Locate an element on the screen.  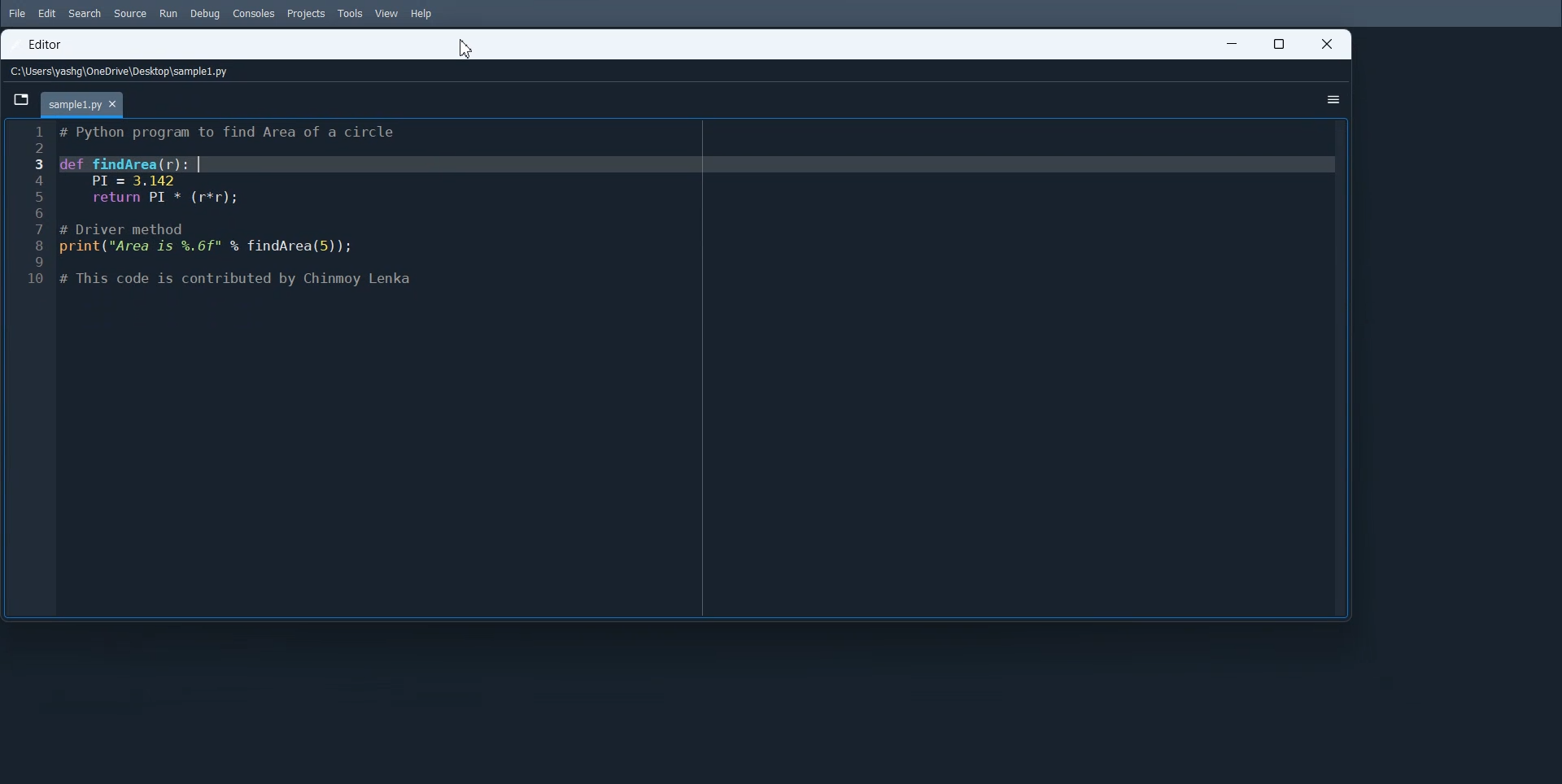
Debug is located at coordinates (205, 14).